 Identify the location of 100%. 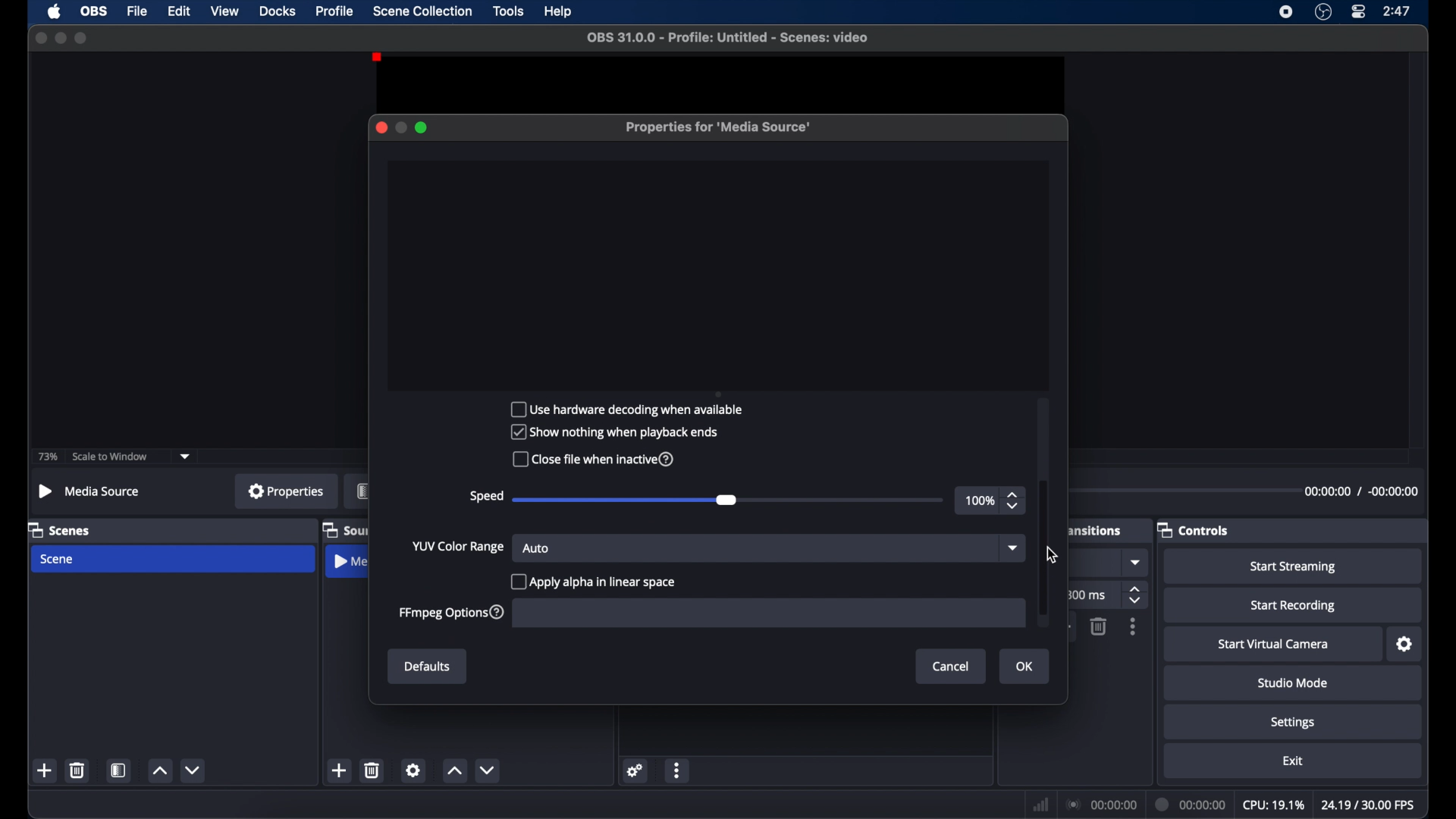
(980, 501).